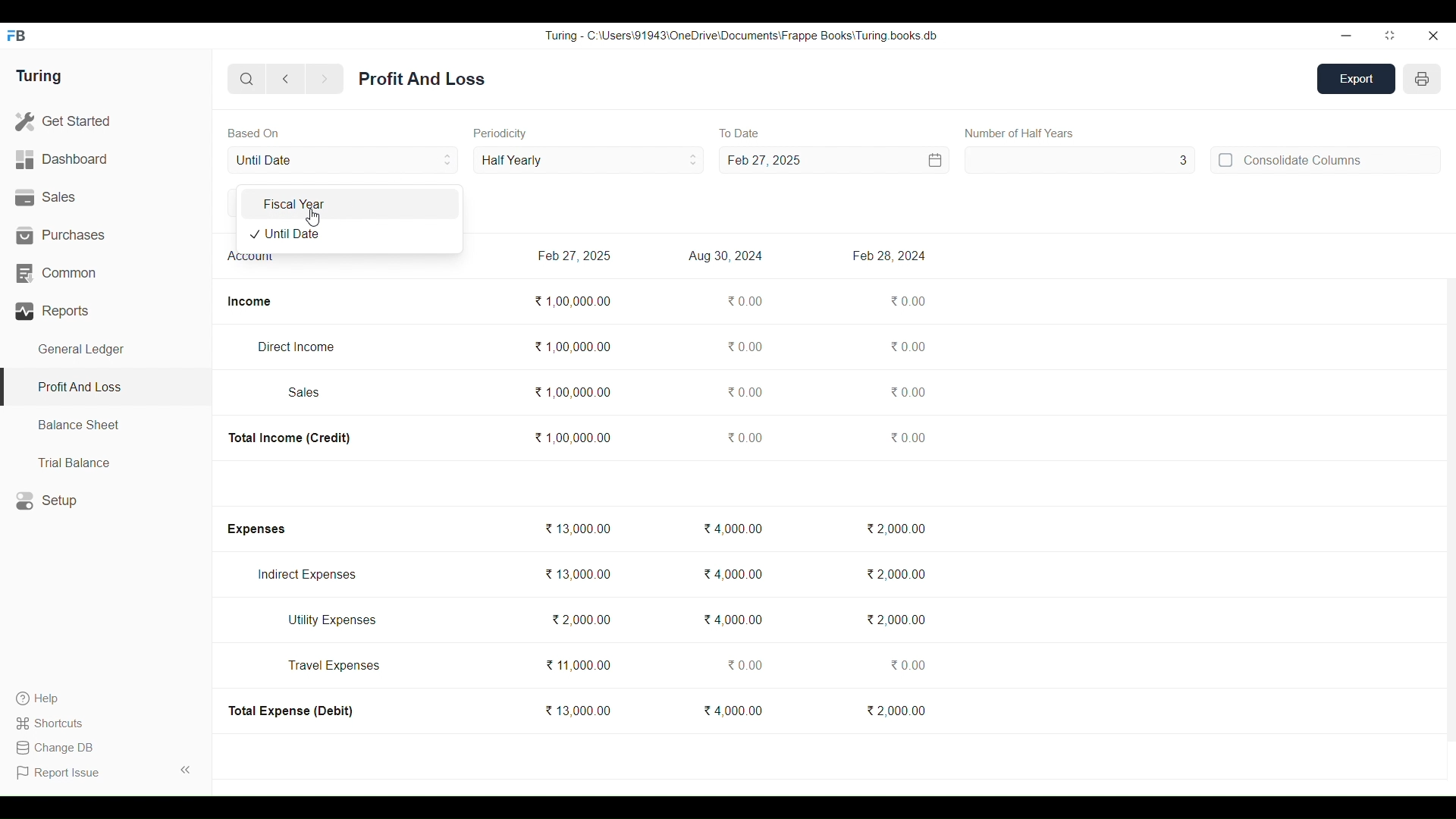  What do you see at coordinates (253, 133) in the screenshot?
I see `Based On` at bounding box center [253, 133].